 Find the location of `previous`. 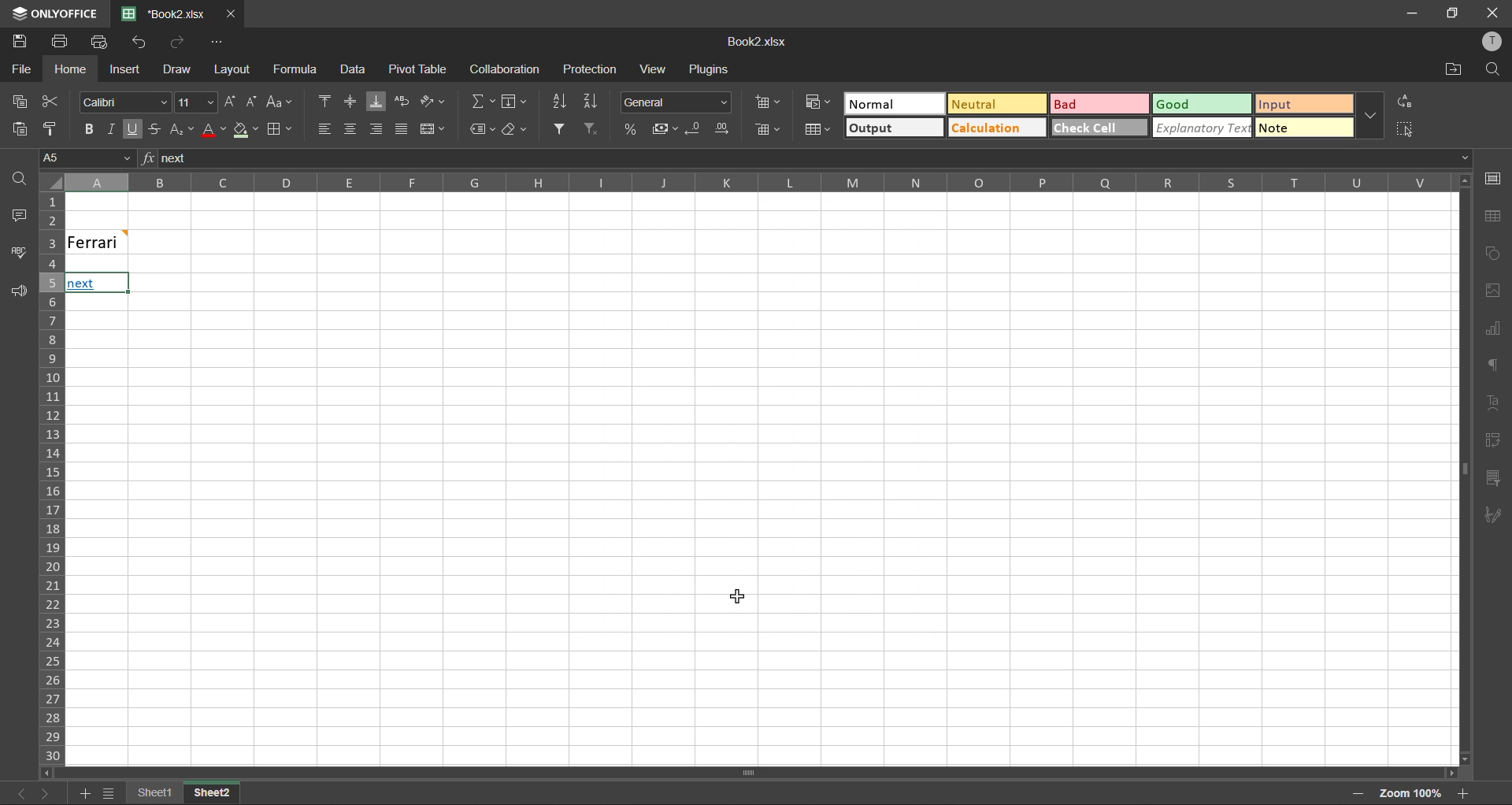

previous is located at coordinates (13, 792).